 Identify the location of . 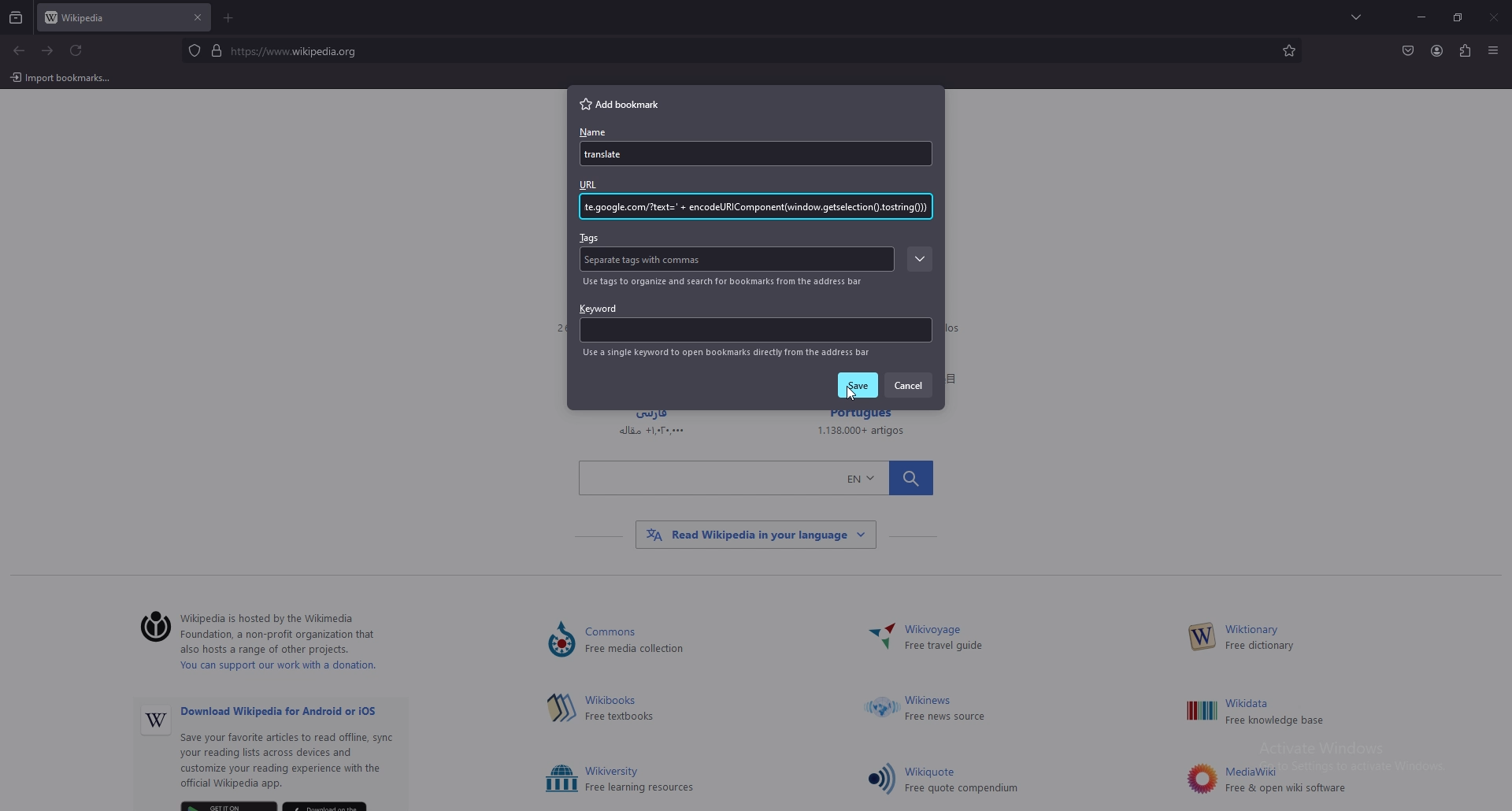
(1493, 53).